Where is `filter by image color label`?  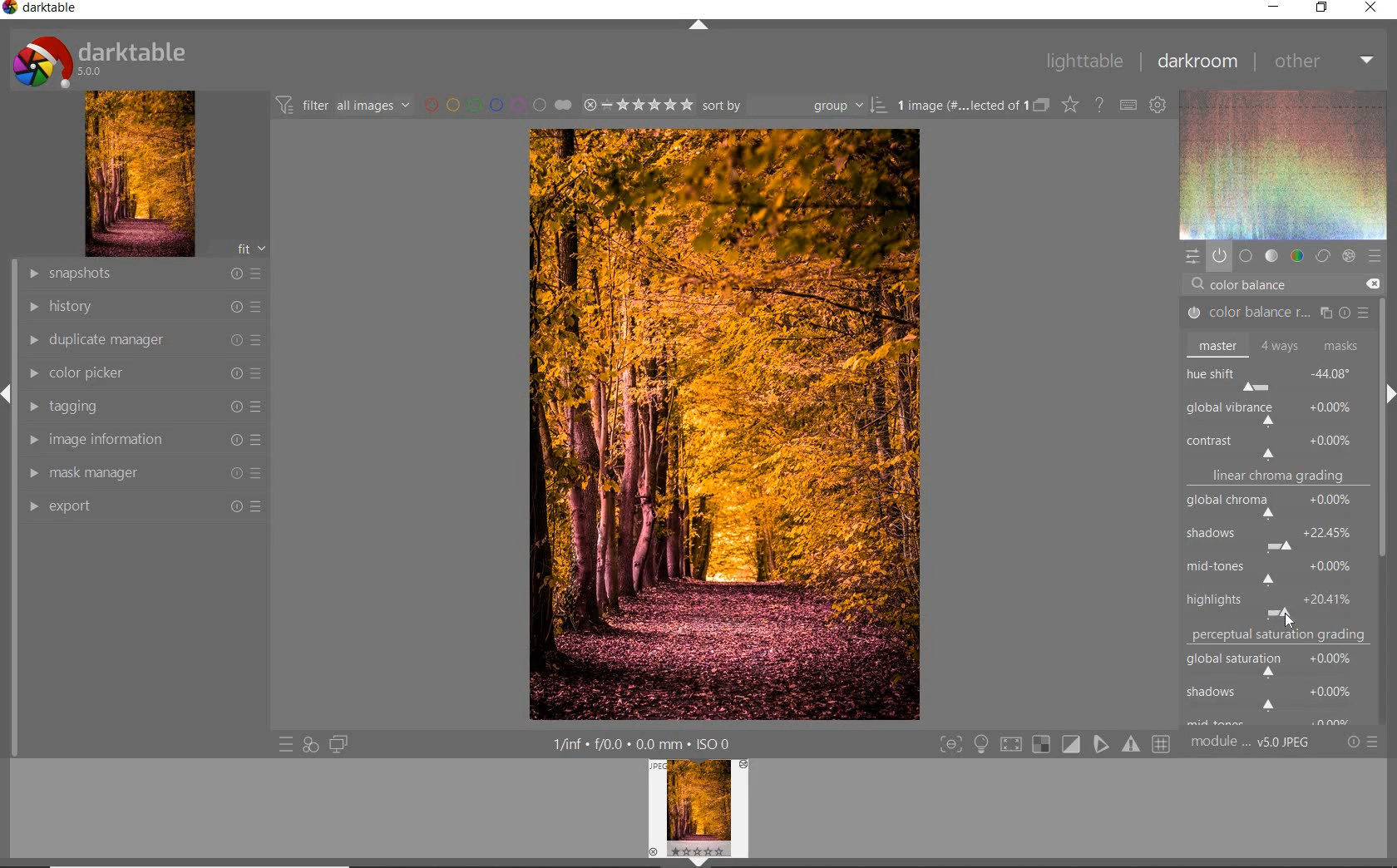
filter by image color label is located at coordinates (496, 105).